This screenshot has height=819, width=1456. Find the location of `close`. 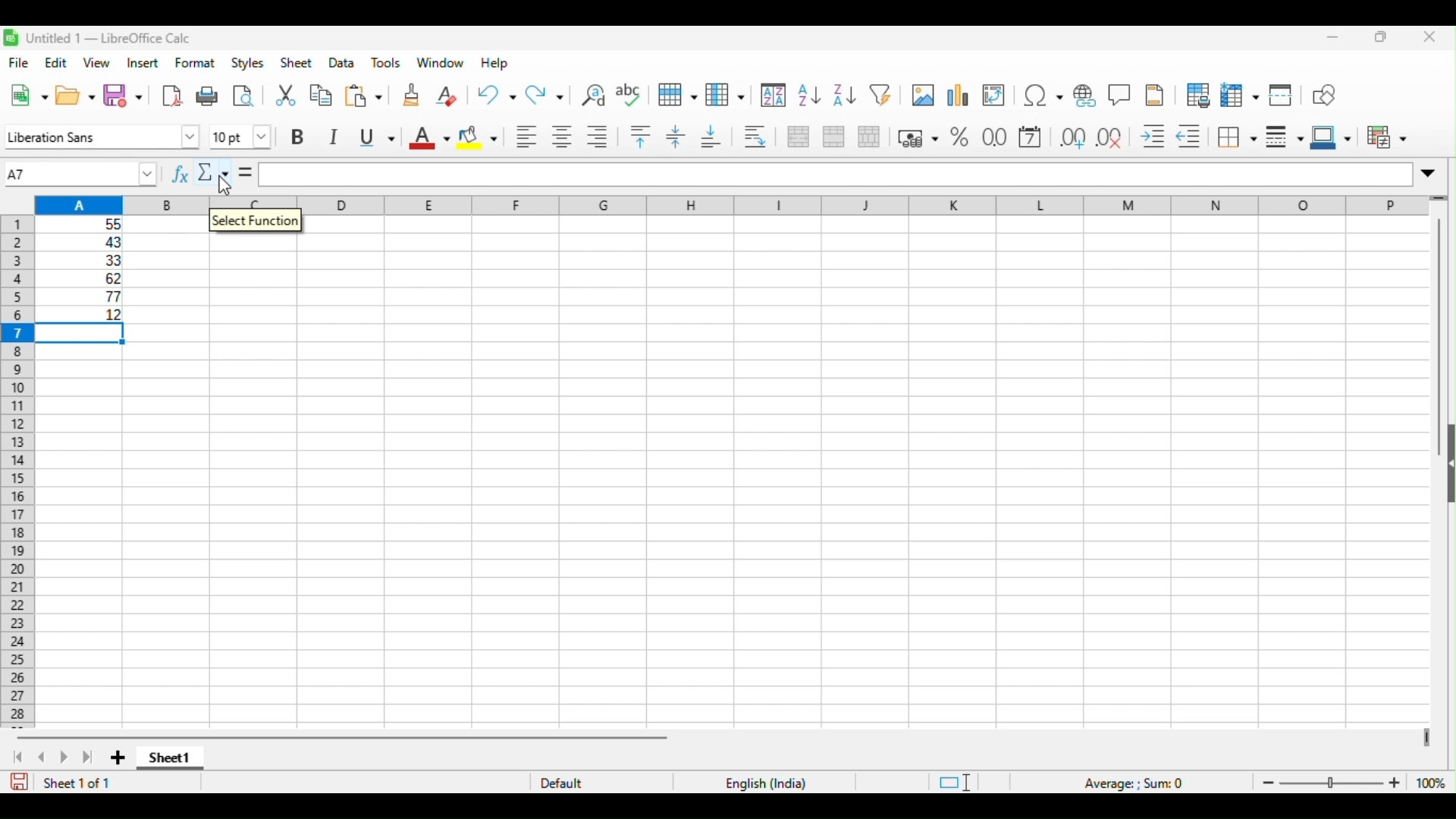

close is located at coordinates (1427, 37).